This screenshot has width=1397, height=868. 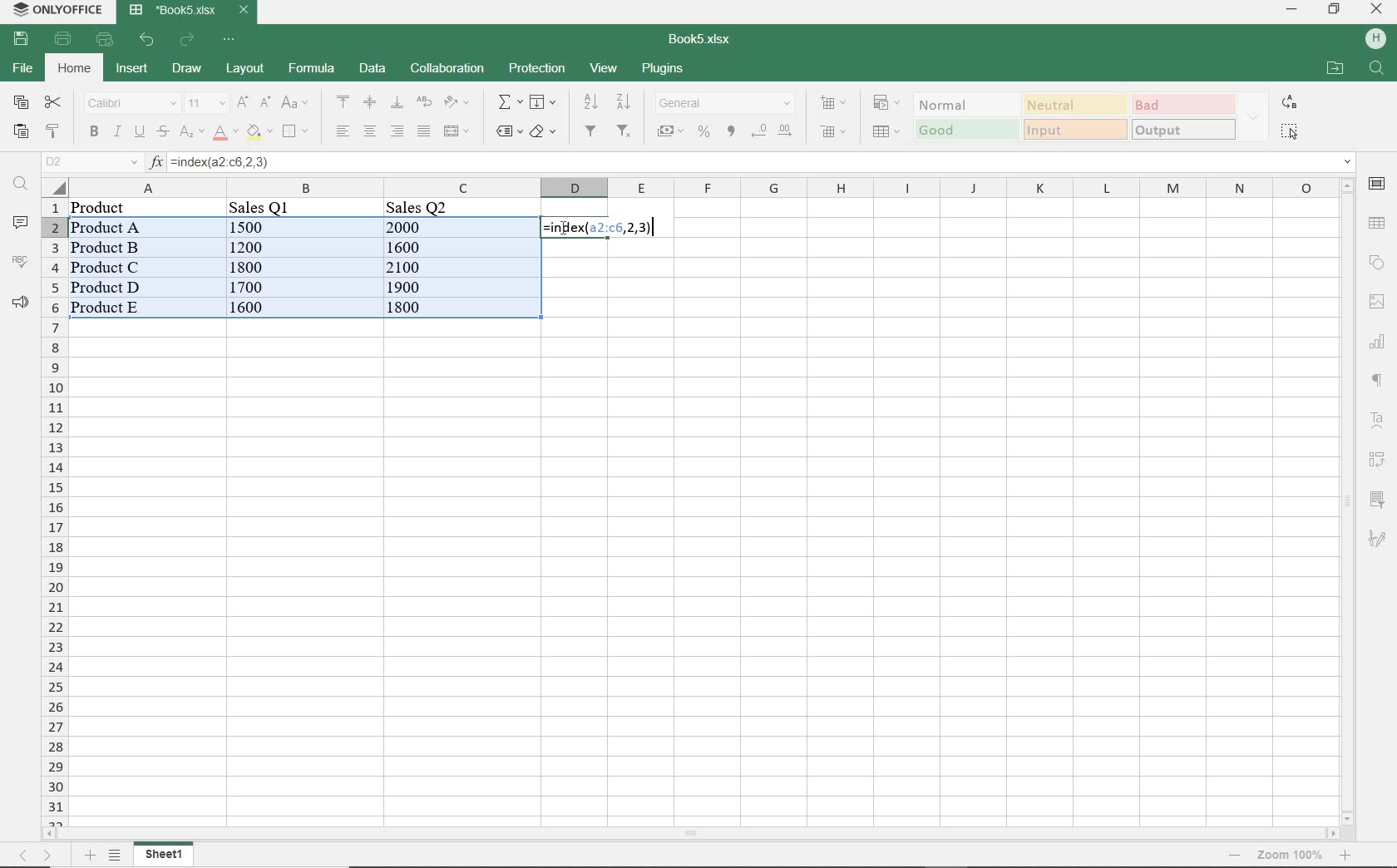 What do you see at coordinates (21, 131) in the screenshot?
I see `paste` at bounding box center [21, 131].